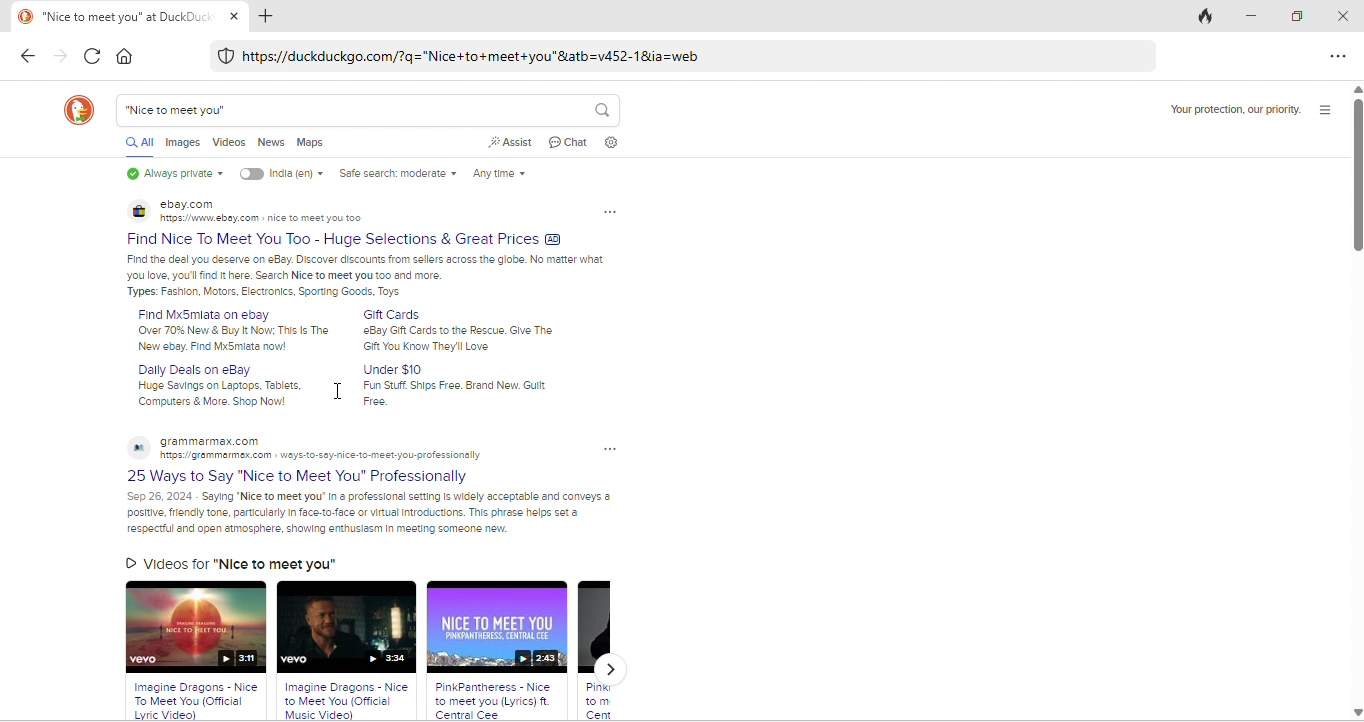 This screenshot has width=1364, height=722. What do you see at coordinates (79, 110) in the screenshot?
I see `logo` at bounding box center [79, 110].